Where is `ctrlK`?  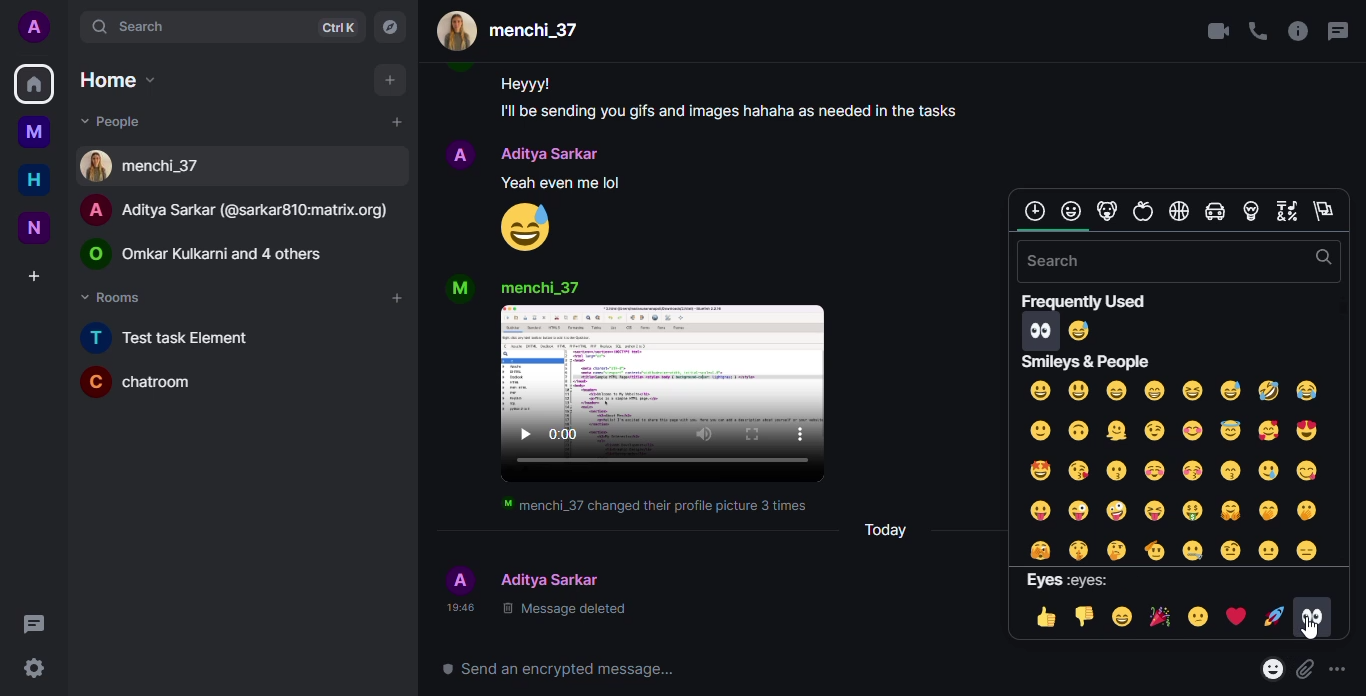
ctrlK is located at coordinates (334, 29).